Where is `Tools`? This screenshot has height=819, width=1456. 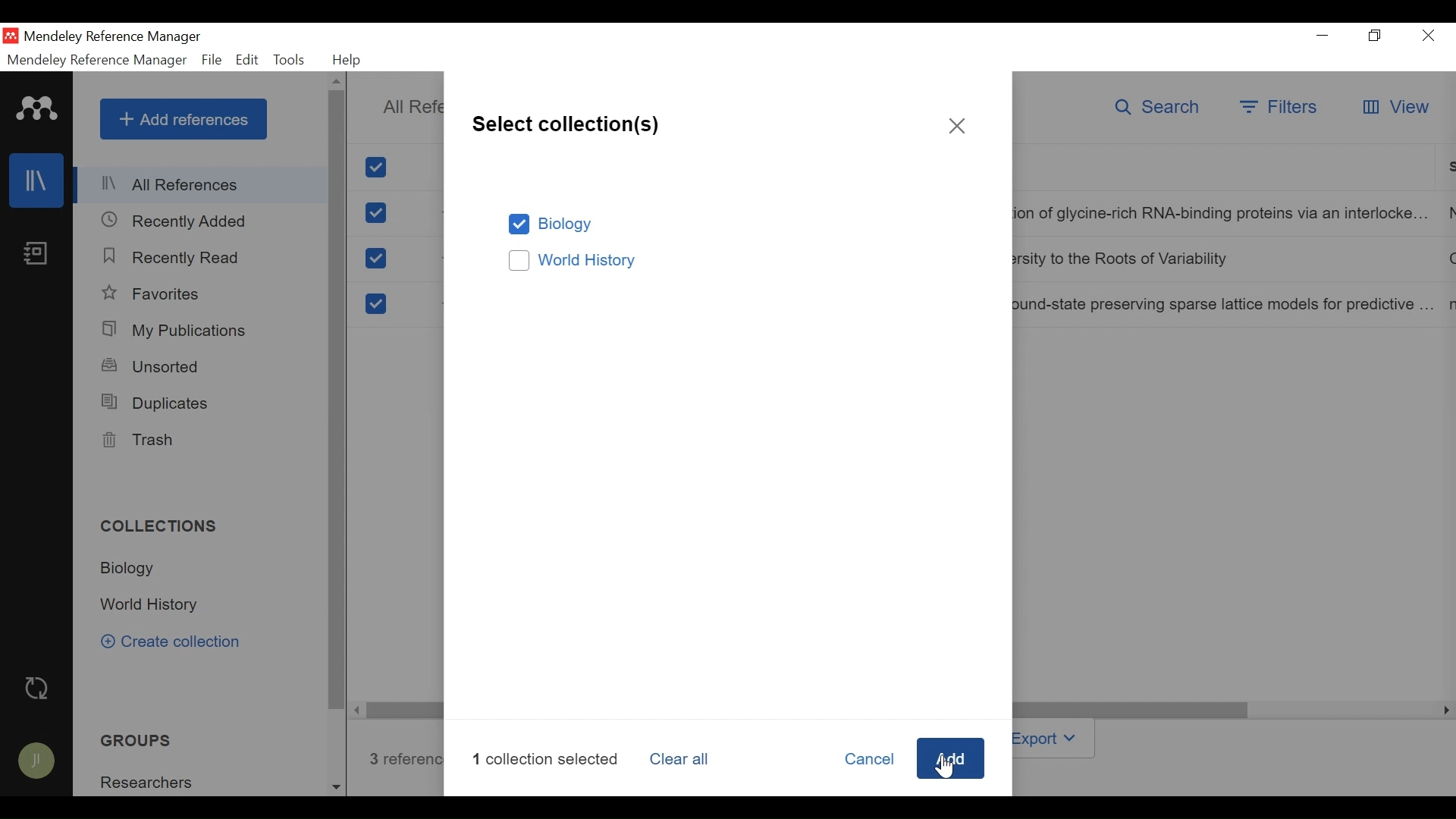
Tools is located at coordinates (290, 60).